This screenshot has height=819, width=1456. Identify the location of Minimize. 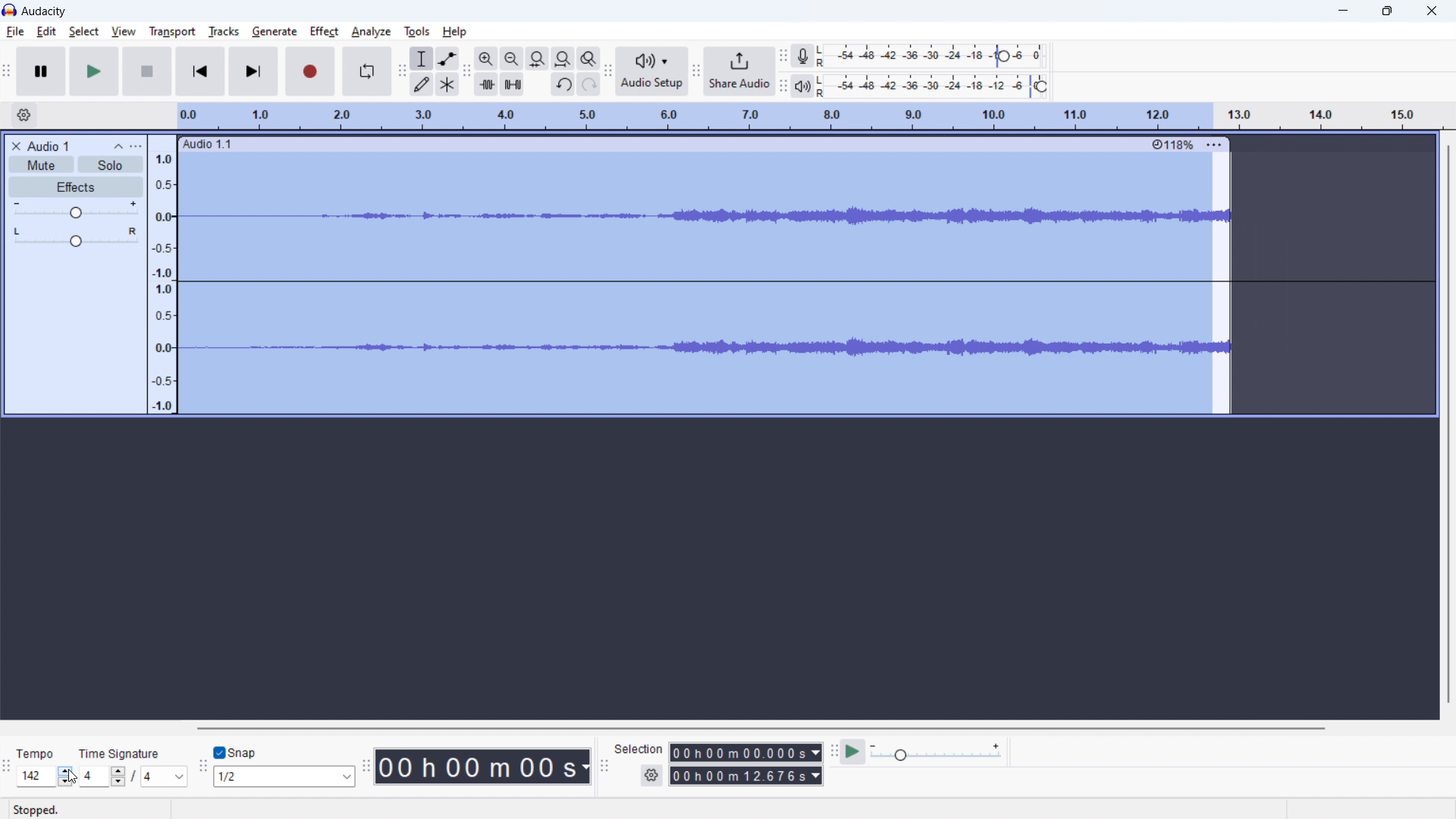
(1341, 11).